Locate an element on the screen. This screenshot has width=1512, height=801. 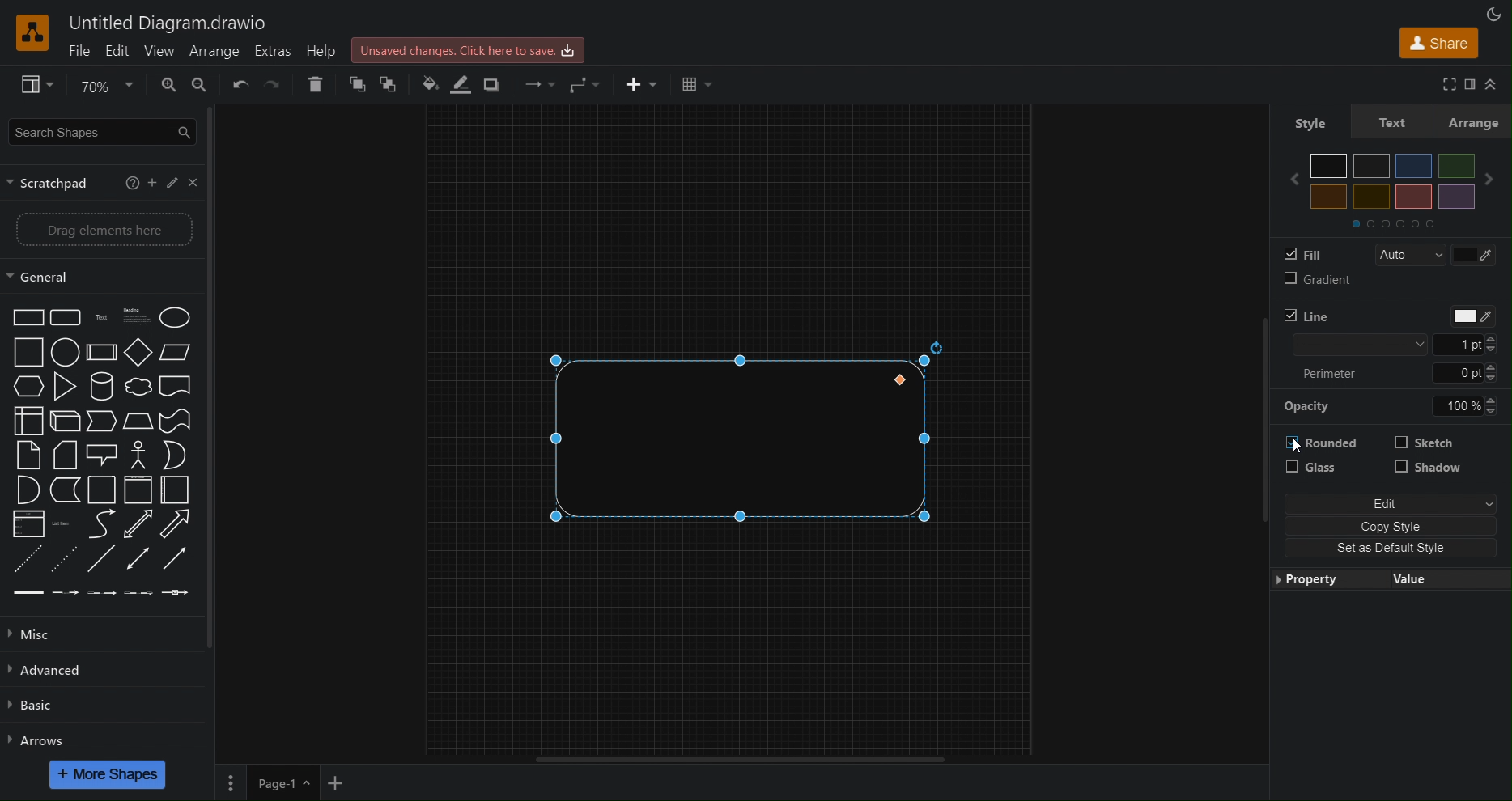
edit is located at coordinates (175, 184).